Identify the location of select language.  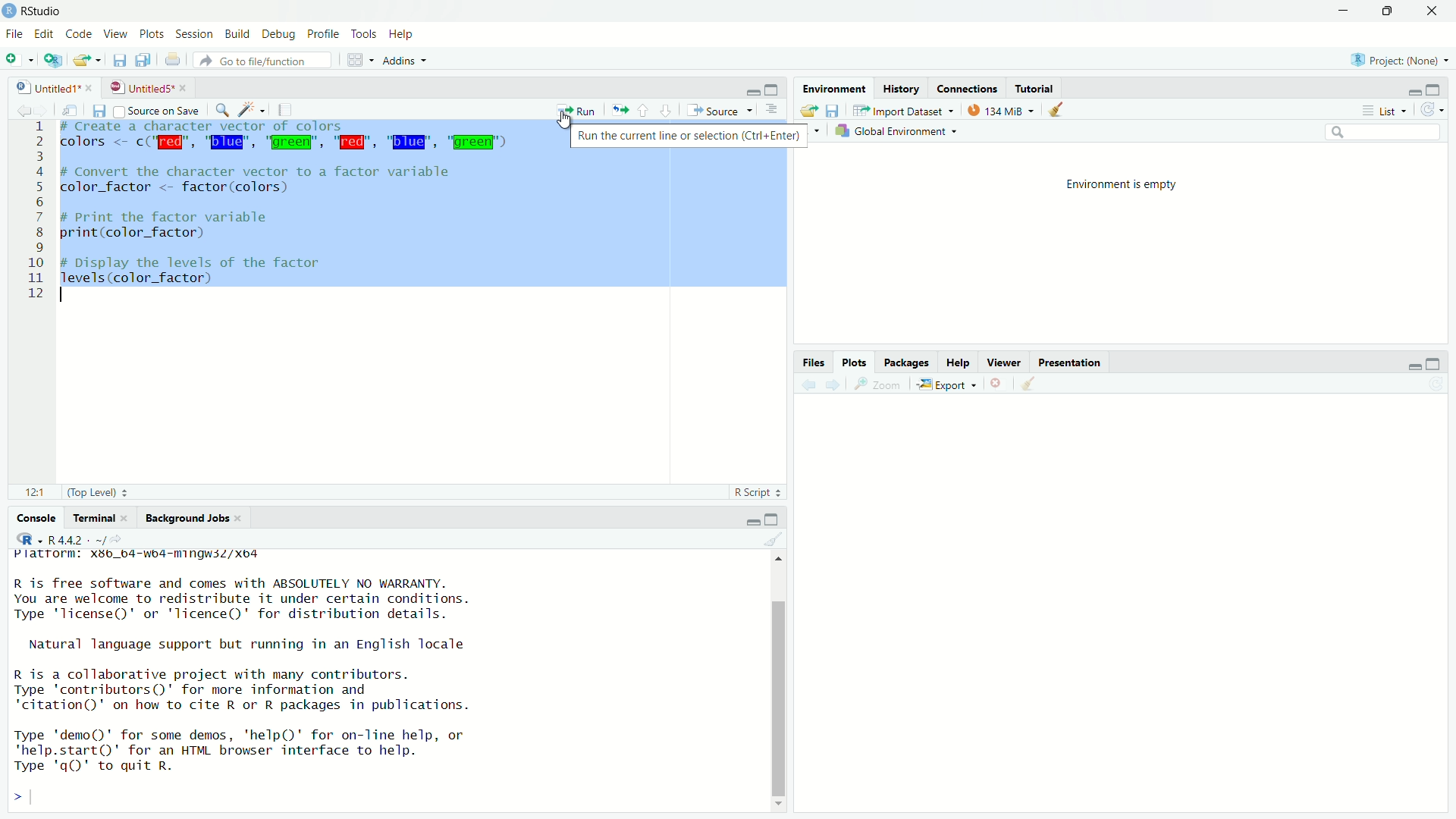
(818, 132).